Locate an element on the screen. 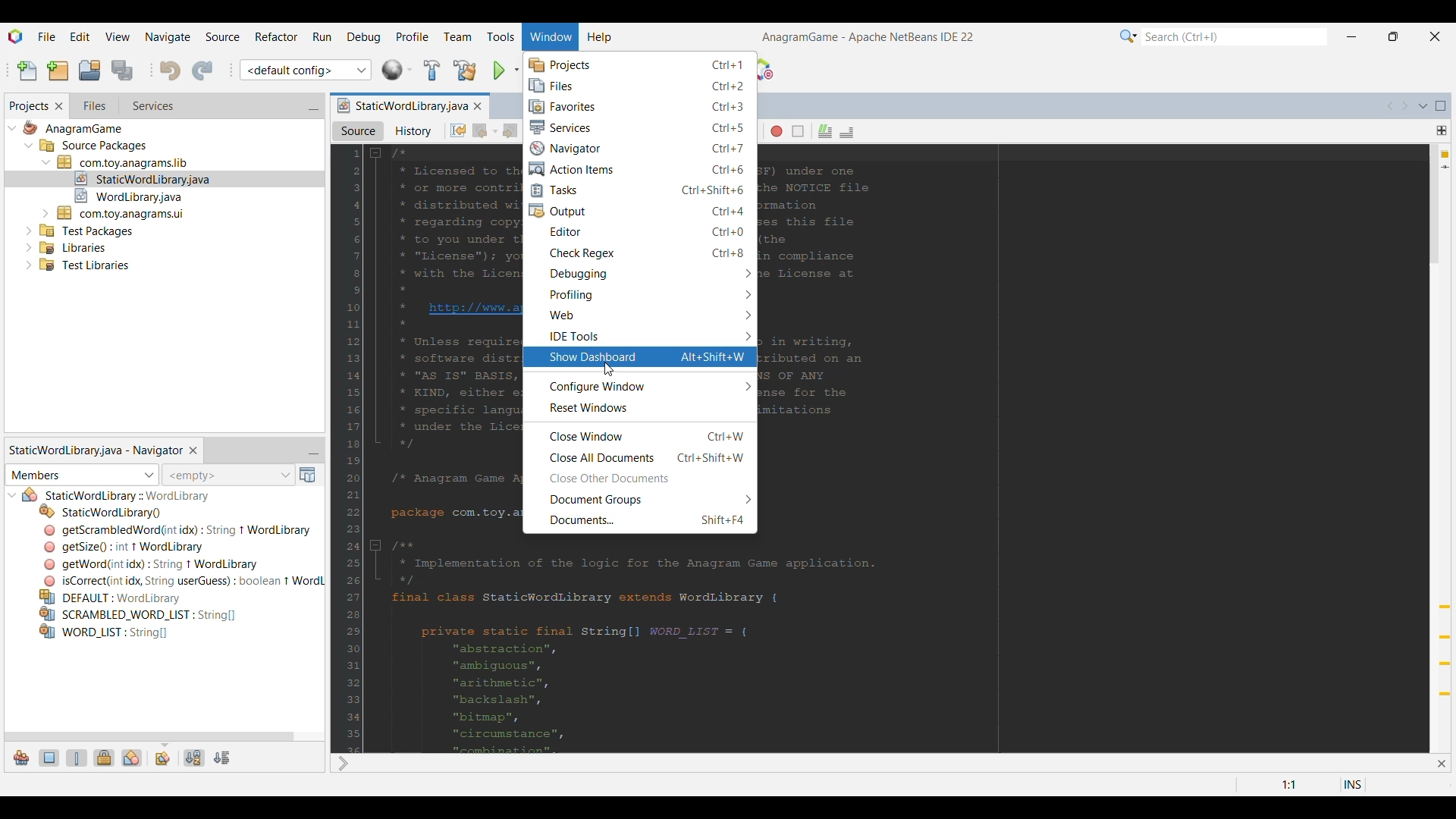 This screenshot has height=819, width=1456. Stop macro recording is located at coordinates (799, 131).